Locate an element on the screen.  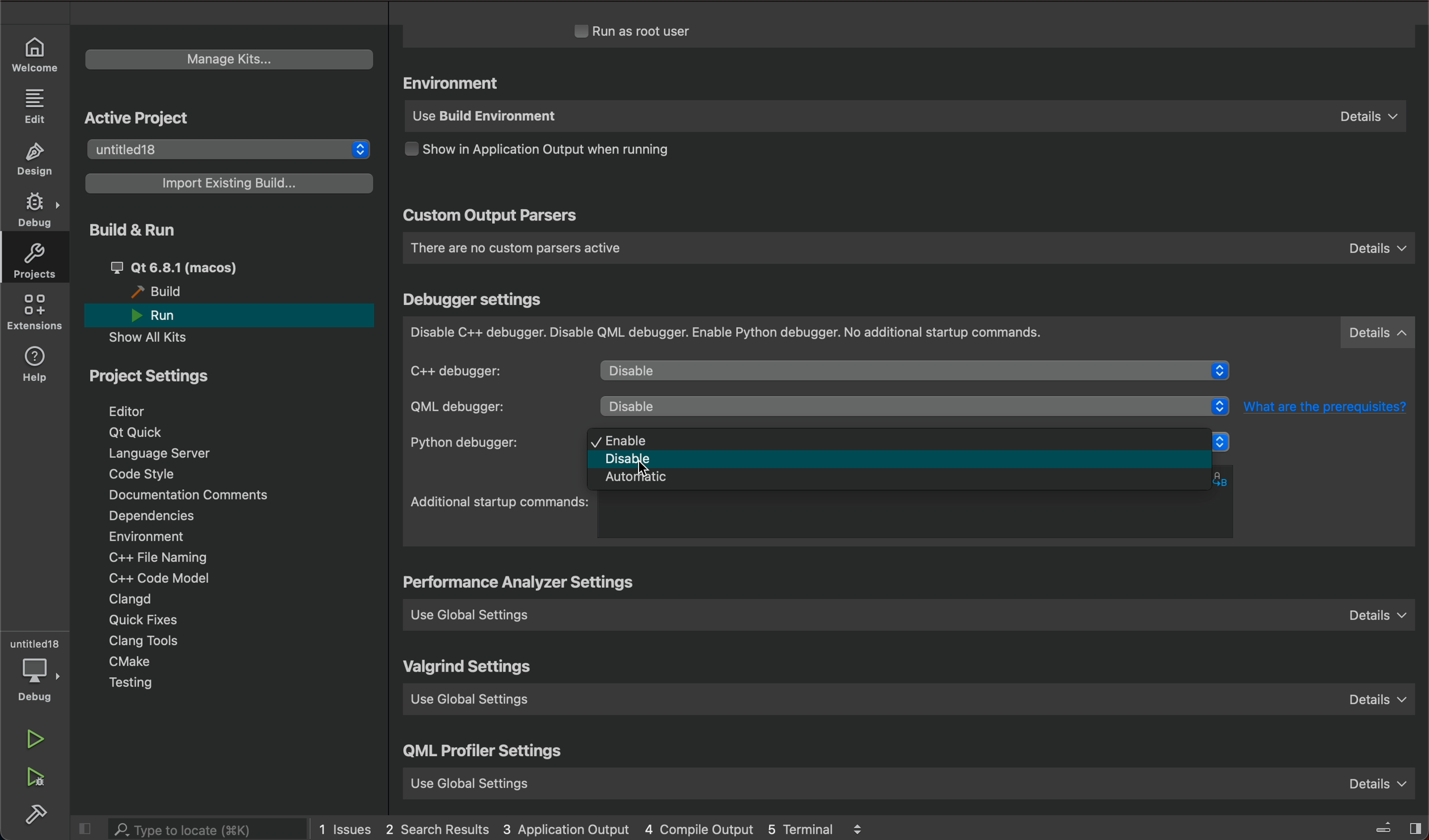
manage kits is located at coordinates (225, 57).